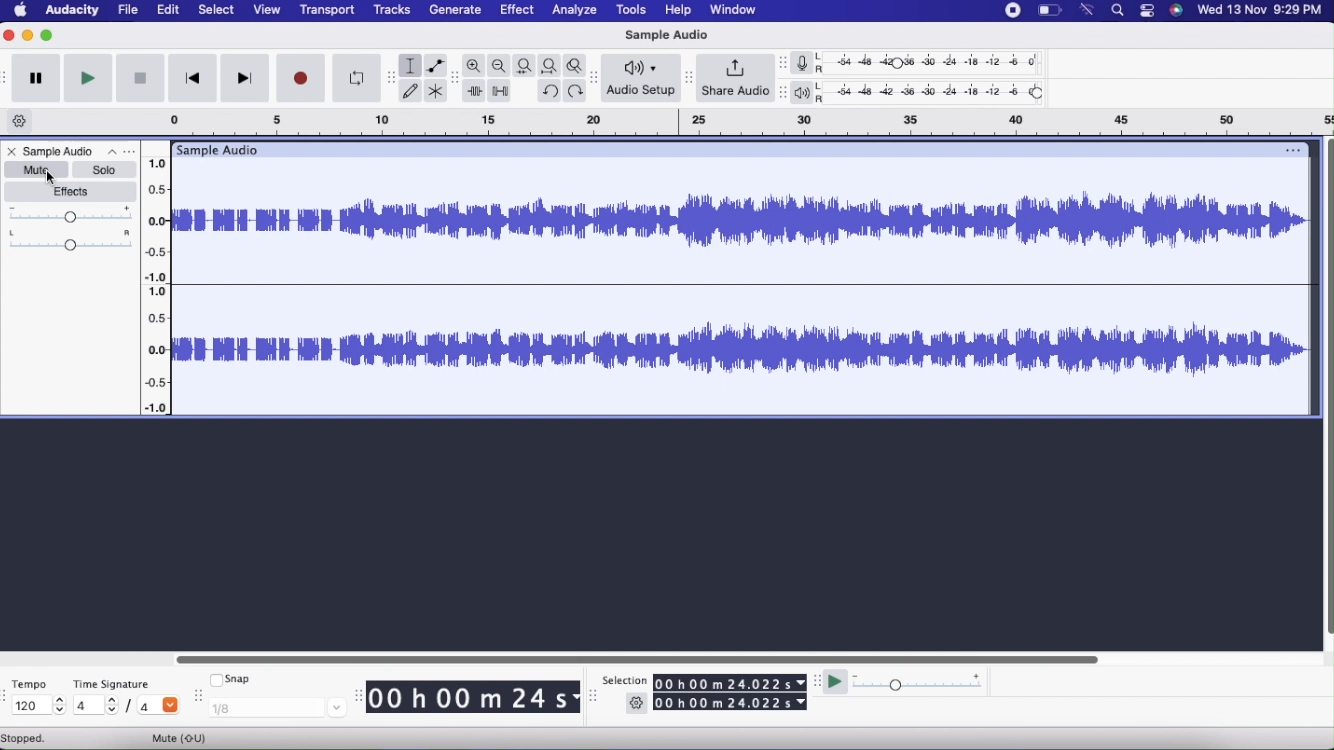 Image resolution: width=1334 pixels, height=750 pixels. What do you see at coordinates (81, 150) in the screenshot?
I see `File name` at bounding box center [81, 150].